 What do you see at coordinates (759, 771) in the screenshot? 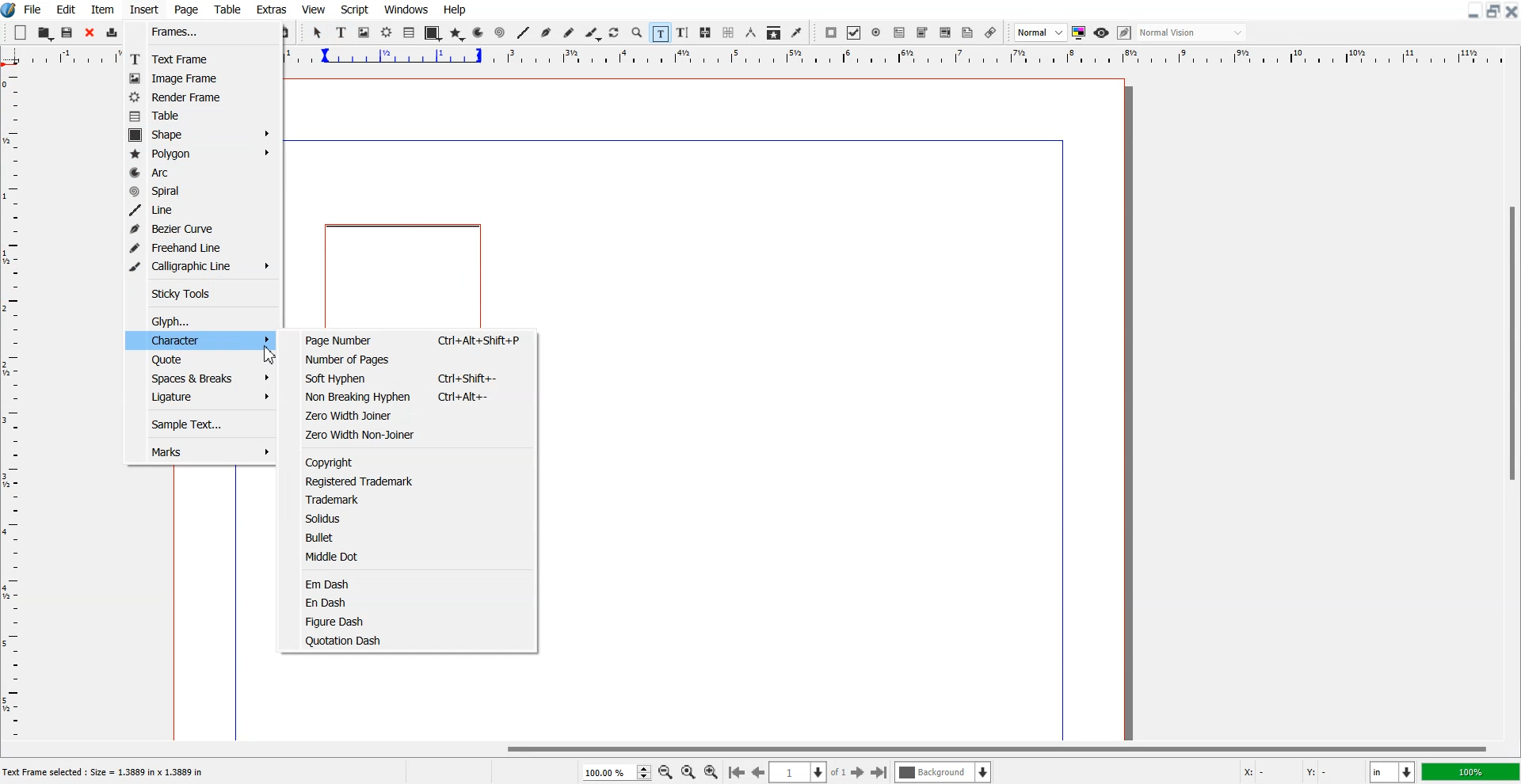
I see `Go to previous Page` at bounding box center [759, 771].